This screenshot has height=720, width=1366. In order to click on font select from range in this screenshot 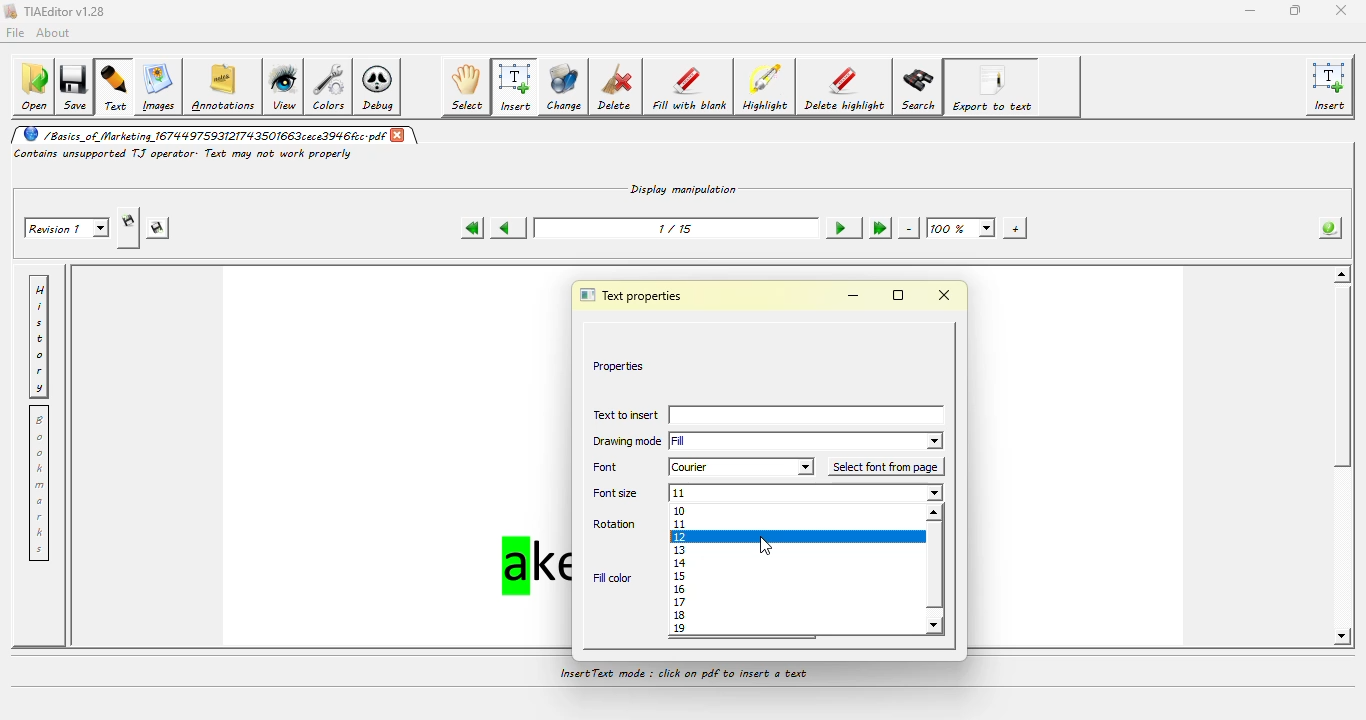, I will do `click(795, 569)`.